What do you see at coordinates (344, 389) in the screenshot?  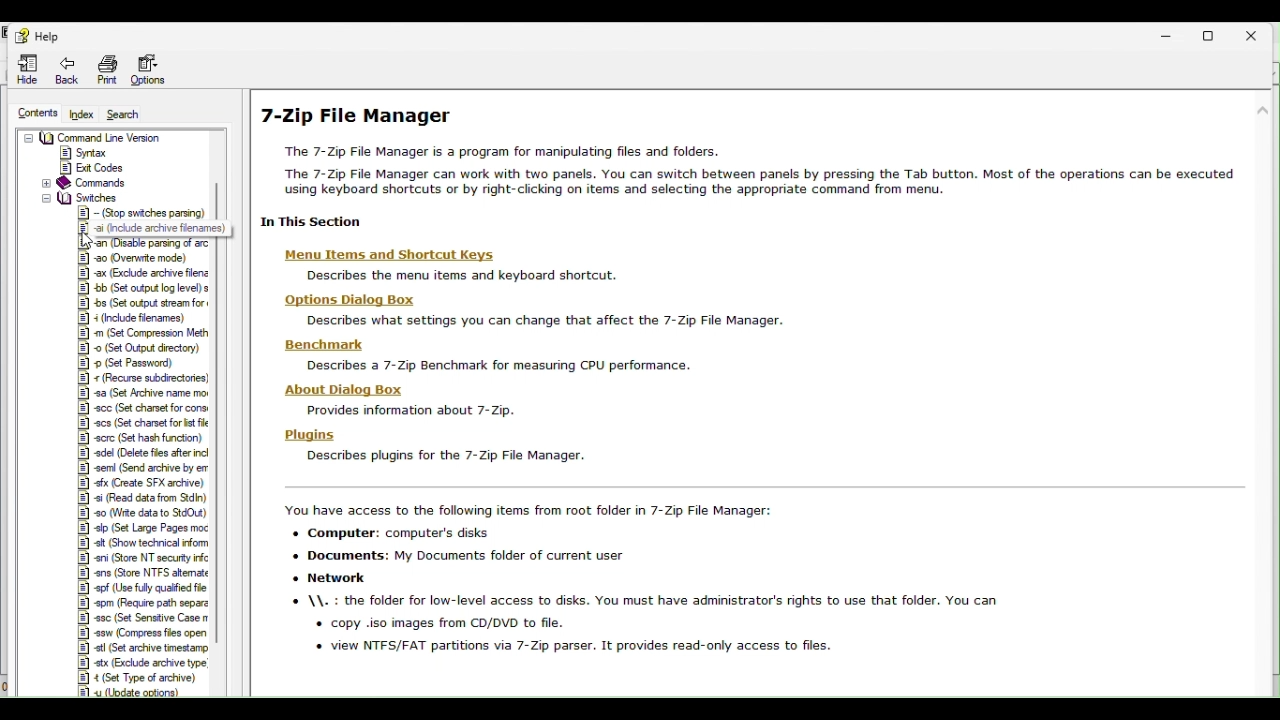 I see `| About Dialog Box` at bounding box center [344, 389].